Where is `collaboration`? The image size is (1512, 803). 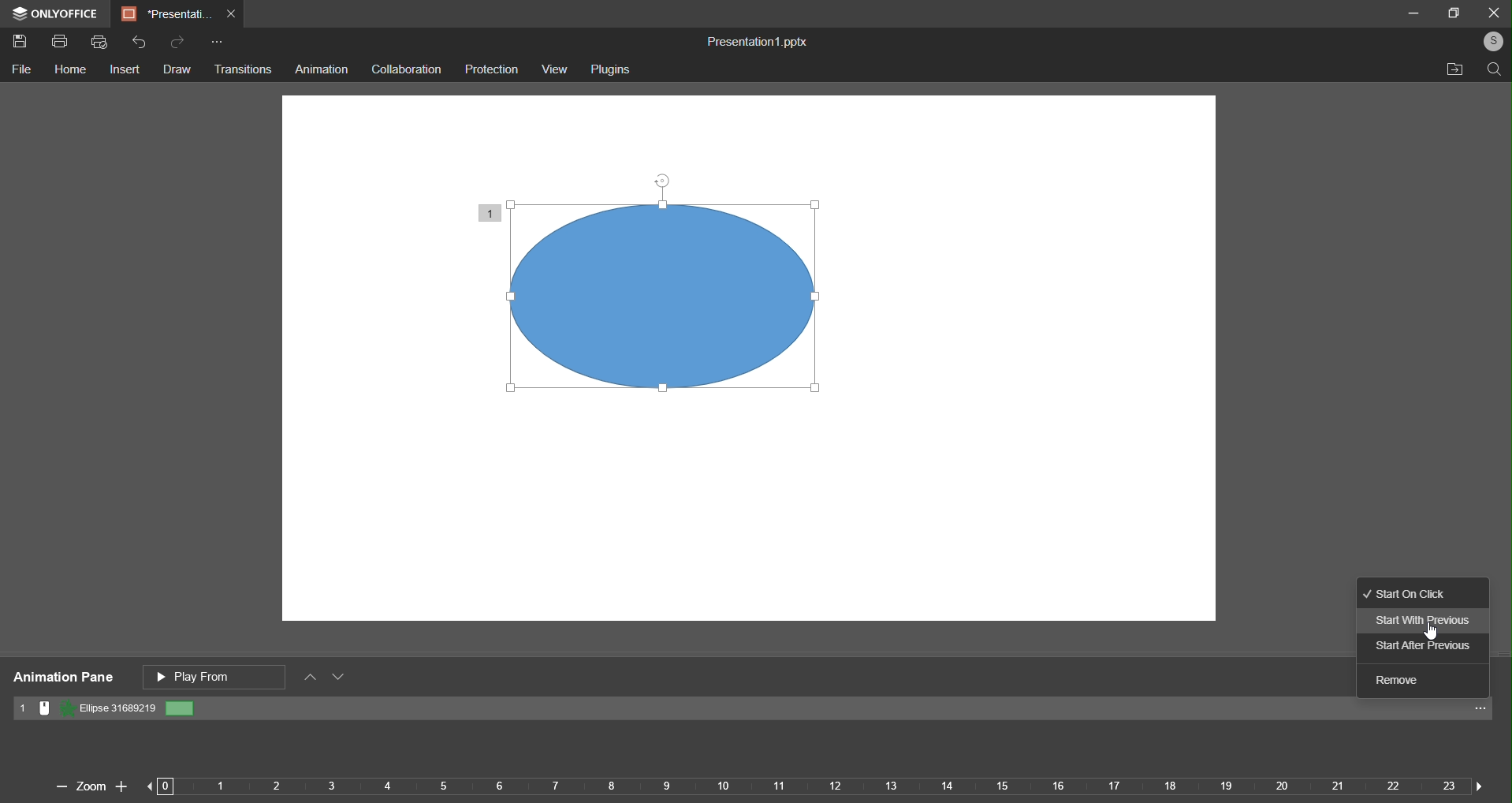
collaboration is located at coordinates (404, 68).